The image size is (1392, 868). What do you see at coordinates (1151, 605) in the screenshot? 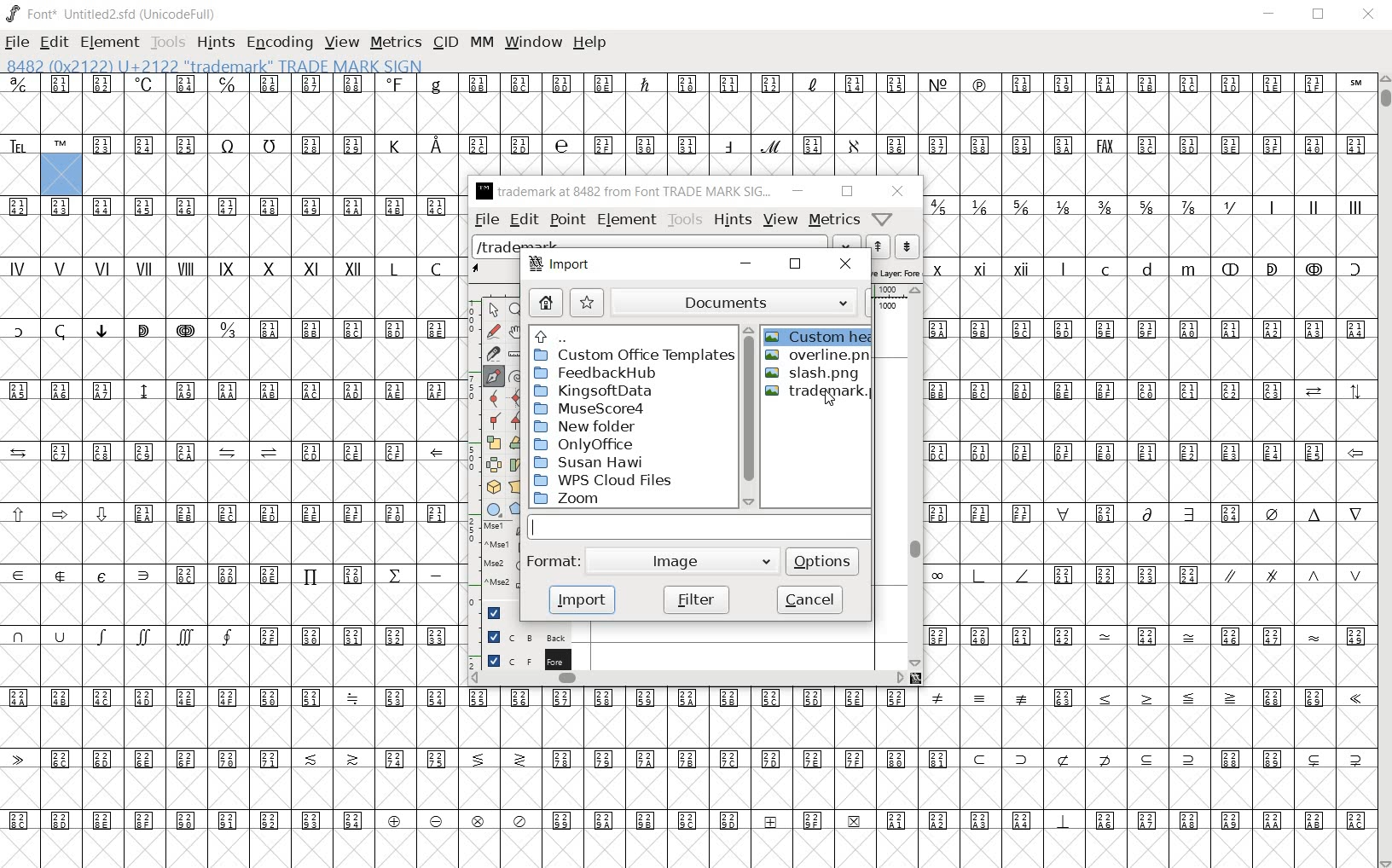
I see `symbols` at bounding box center [1151, 605].